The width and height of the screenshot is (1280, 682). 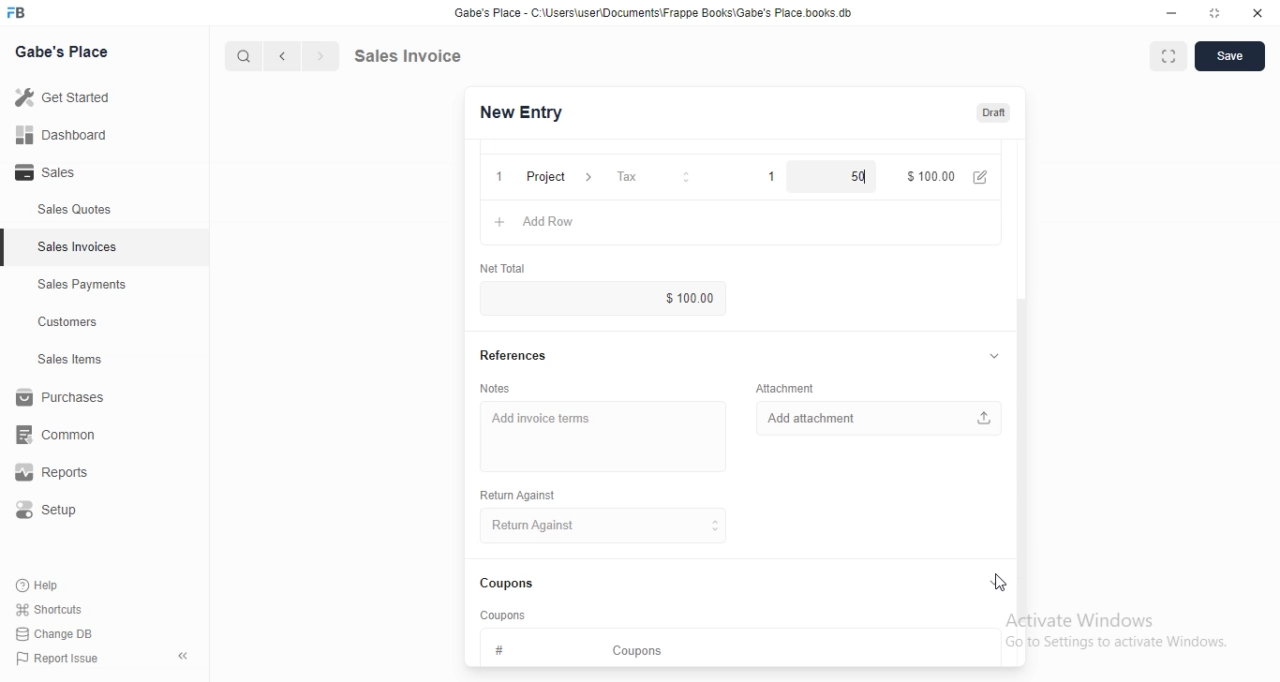 What do you see at coordinates (1163, 54) in the screenshot?
I see `maximise` at bounding box center [1163, 54].